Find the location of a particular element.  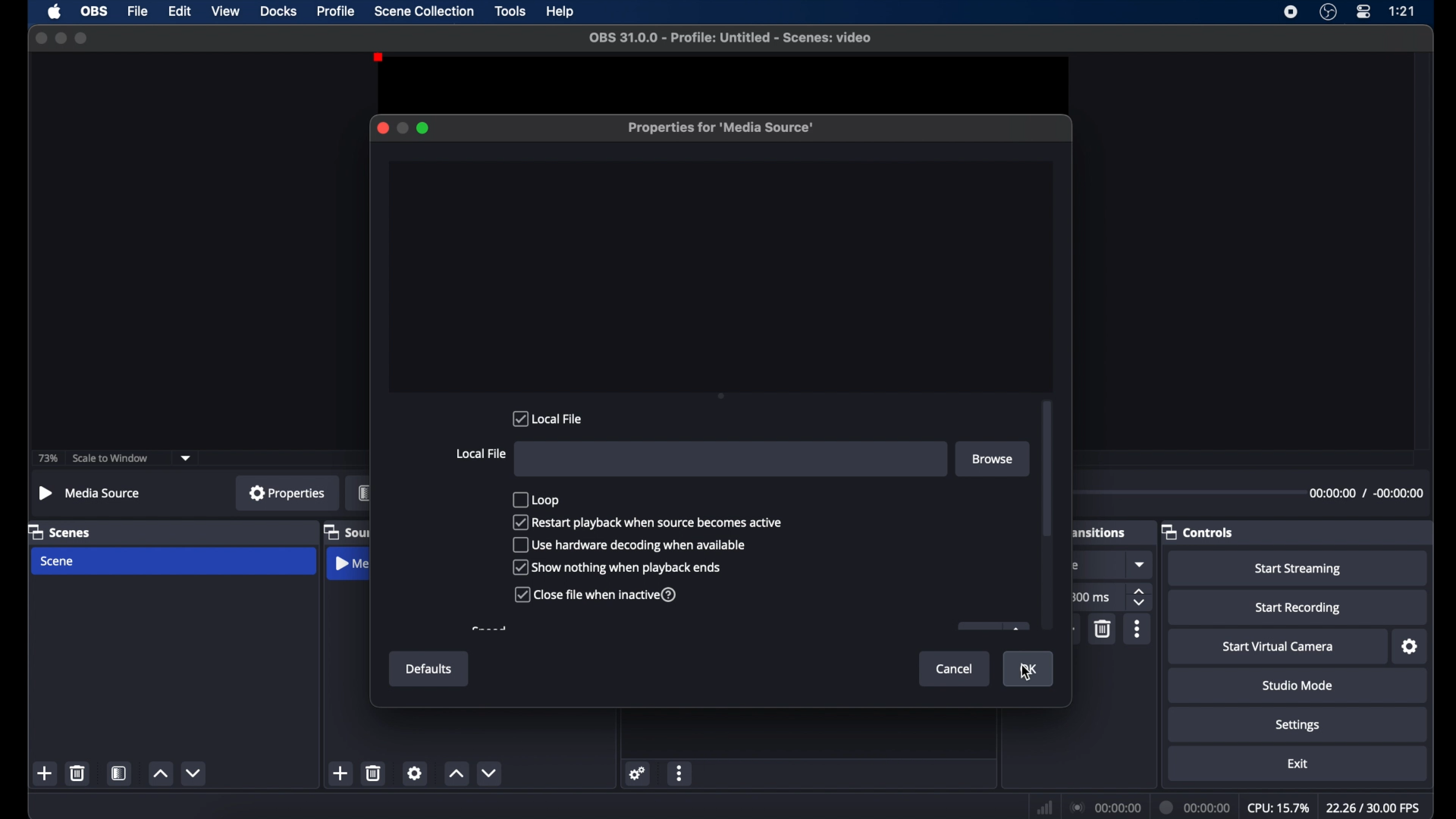

stepper buttons is located at coordinates (1141, 598).